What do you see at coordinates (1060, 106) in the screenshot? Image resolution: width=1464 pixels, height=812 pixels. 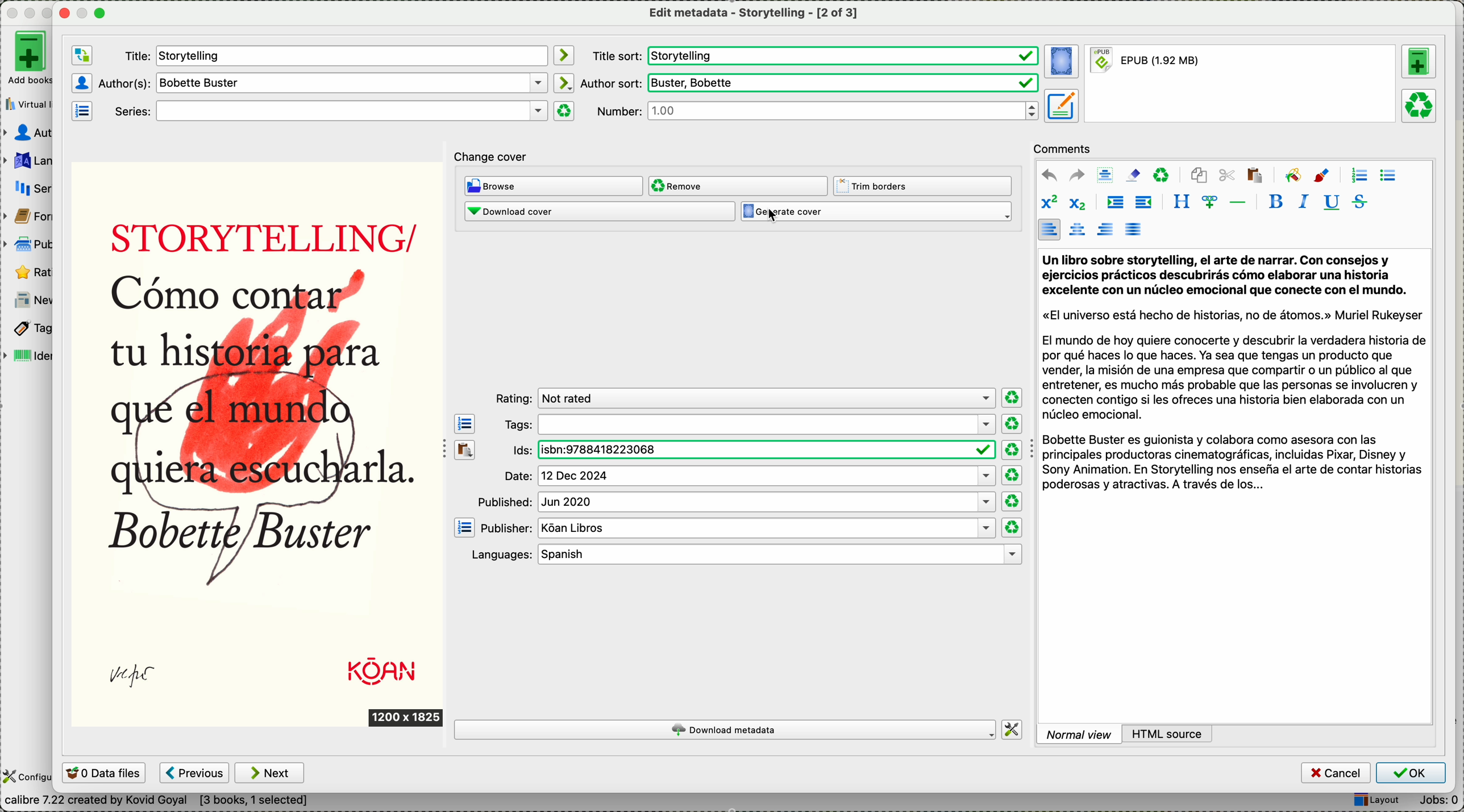 I see `set metadata for the book` at bounding box center [1060, 106].